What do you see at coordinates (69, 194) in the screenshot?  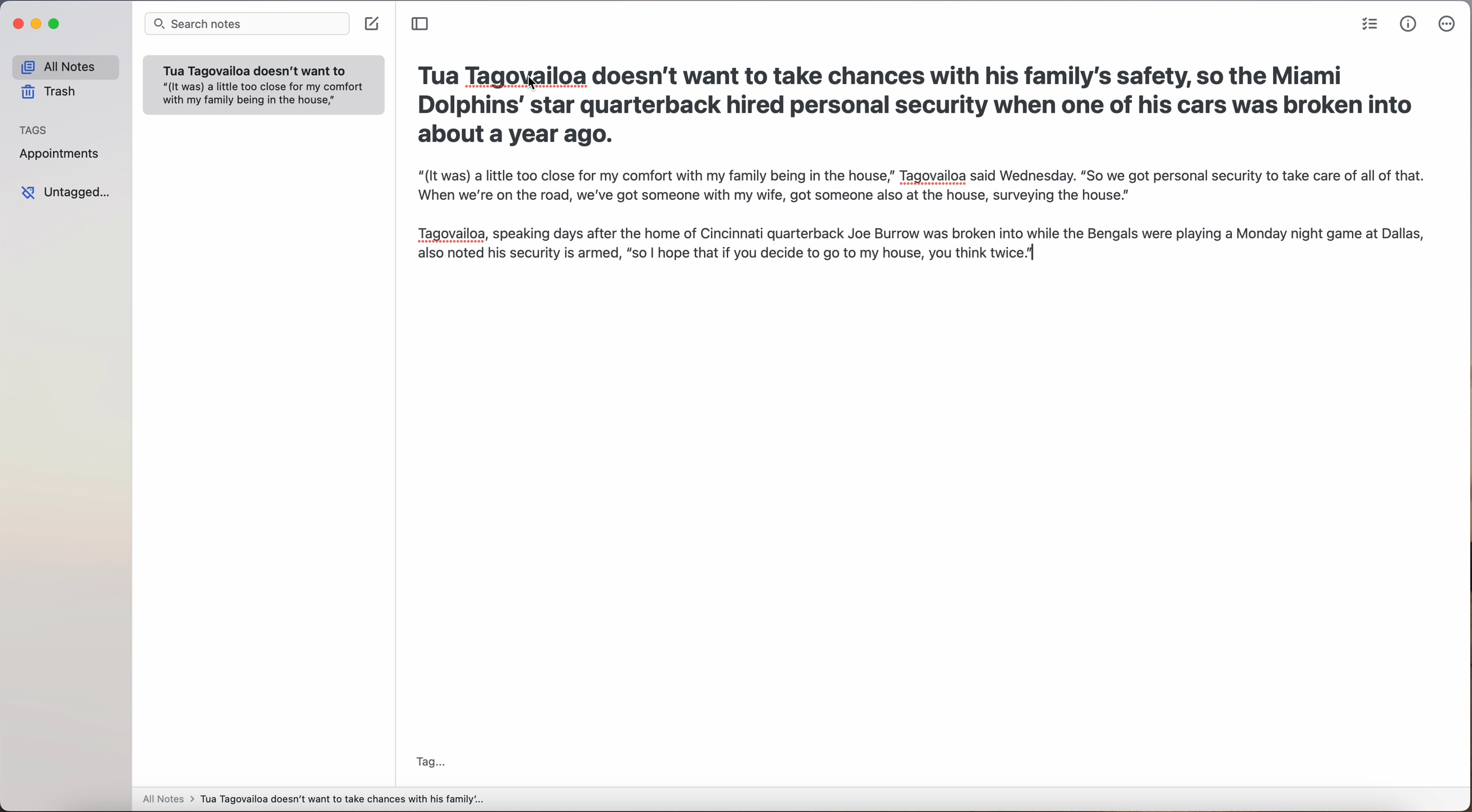 I see `untagged` at bounding box center [69, 194].